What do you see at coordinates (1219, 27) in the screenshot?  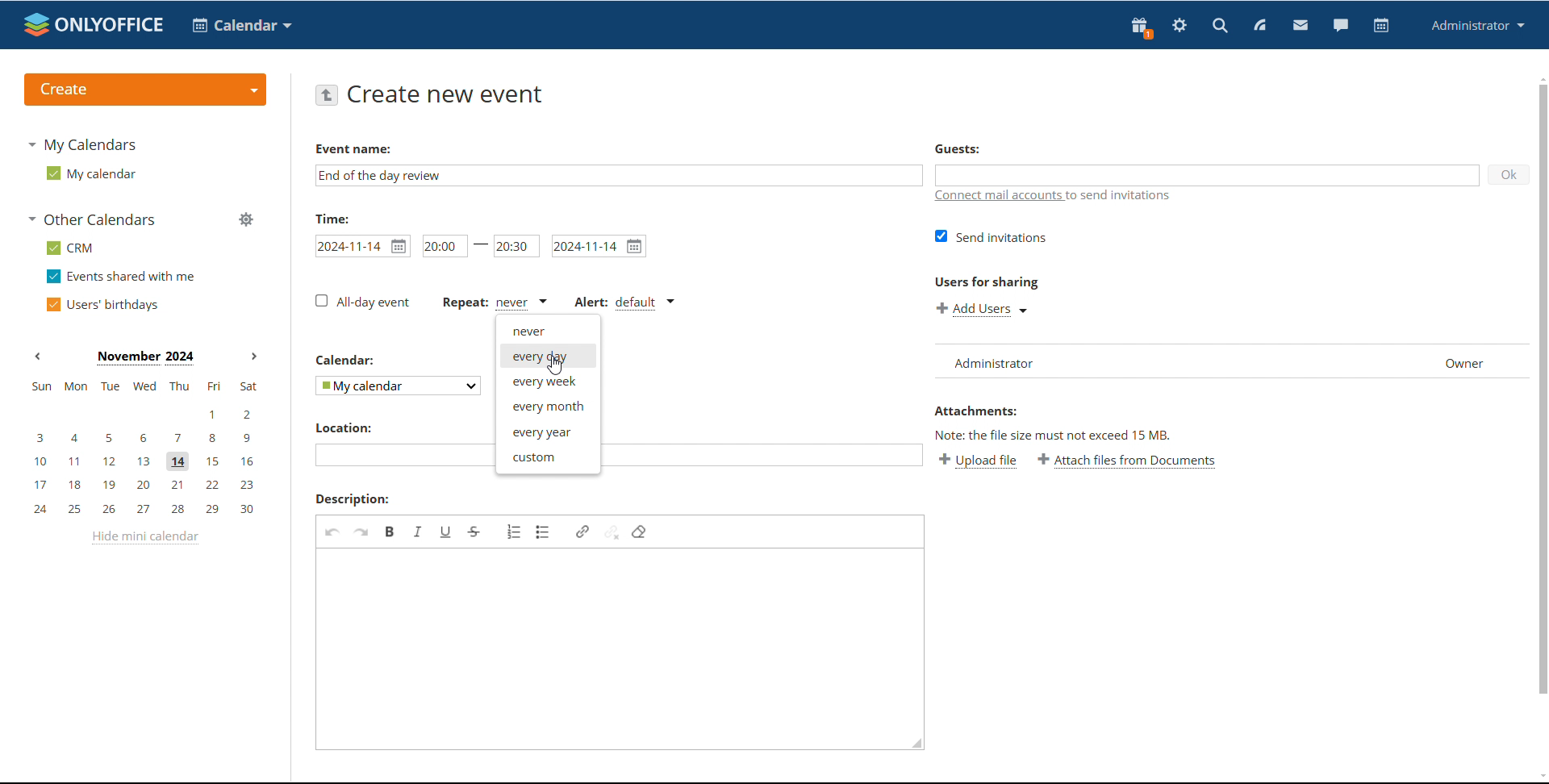 I see `search` at bounding box center [1219, 27].